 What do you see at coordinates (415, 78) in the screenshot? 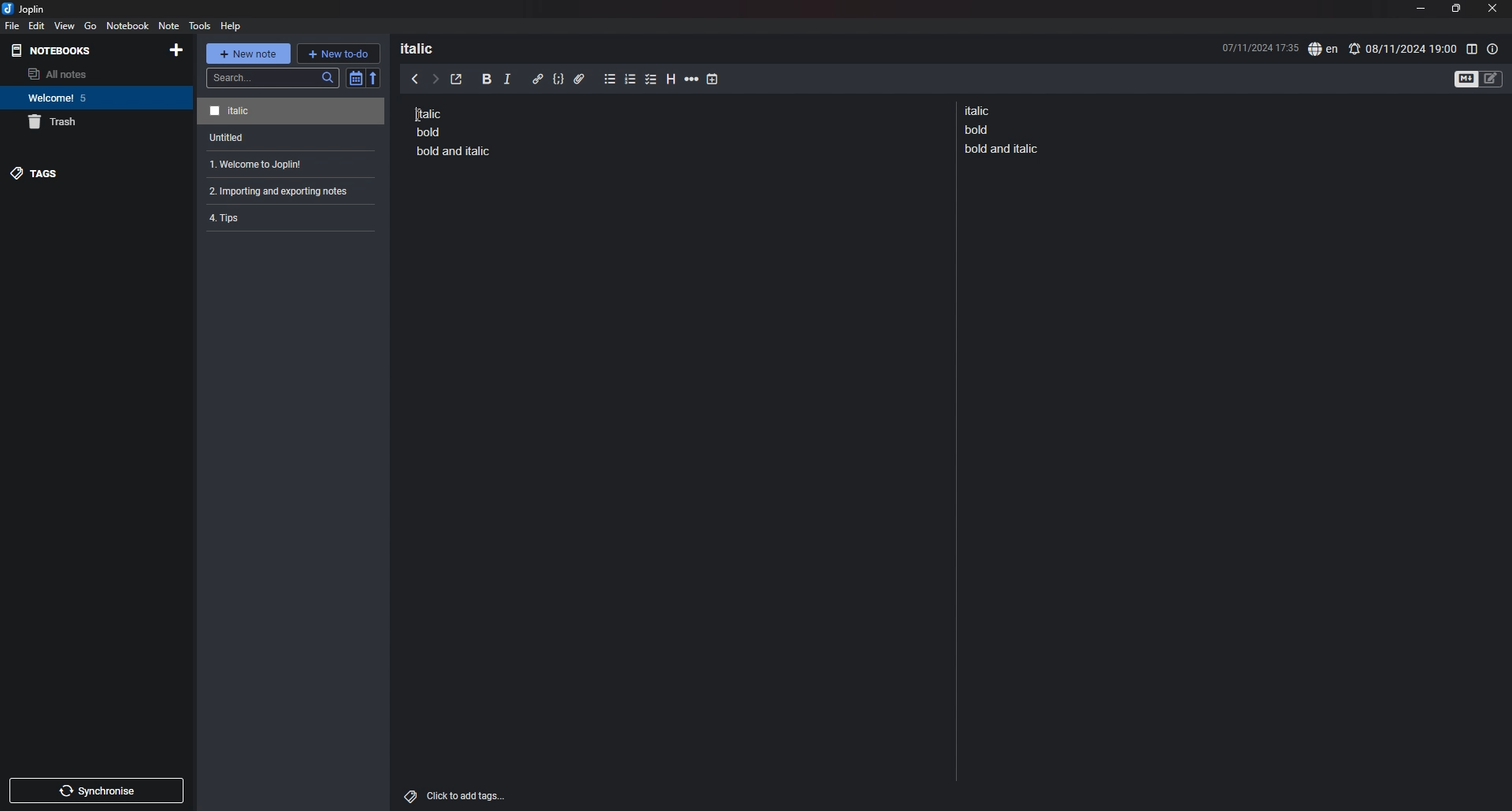
I see `previous` at bounding box center [415, 78].